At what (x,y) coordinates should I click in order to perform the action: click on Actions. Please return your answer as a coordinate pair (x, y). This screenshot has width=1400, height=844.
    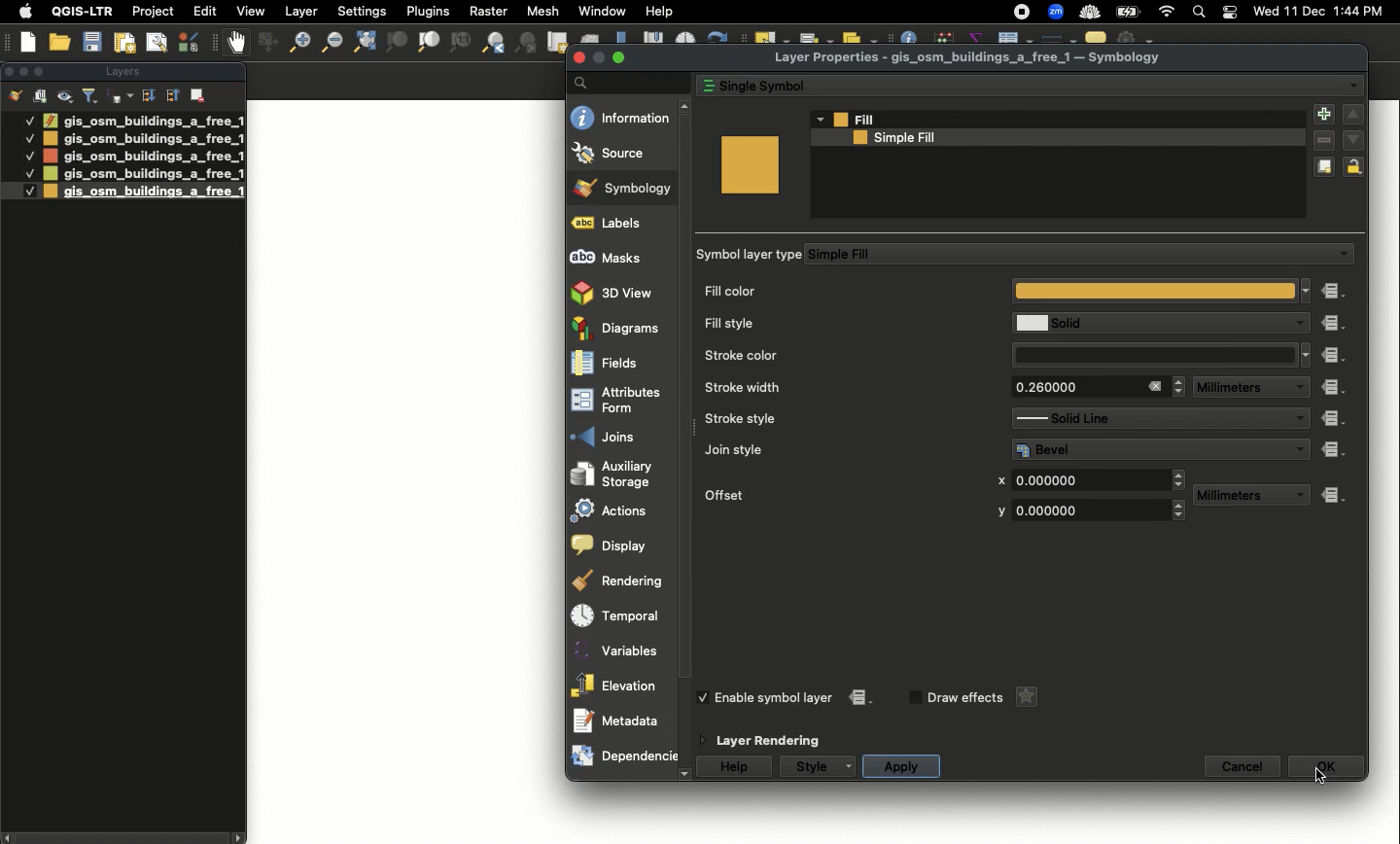
    Looking at the image, I should click on (620, 510).